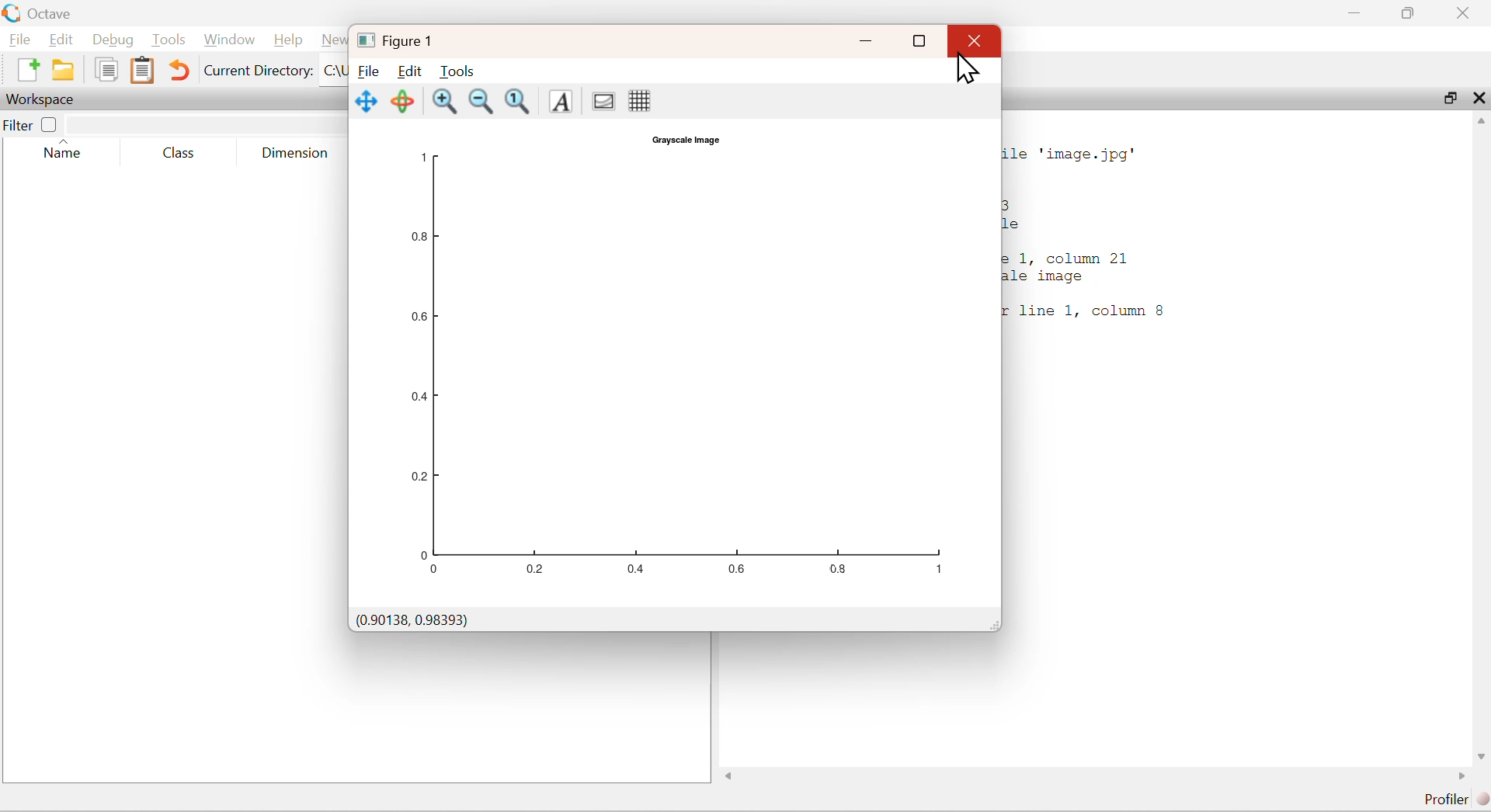  I want to click on open and existing file, so click(68, 69).